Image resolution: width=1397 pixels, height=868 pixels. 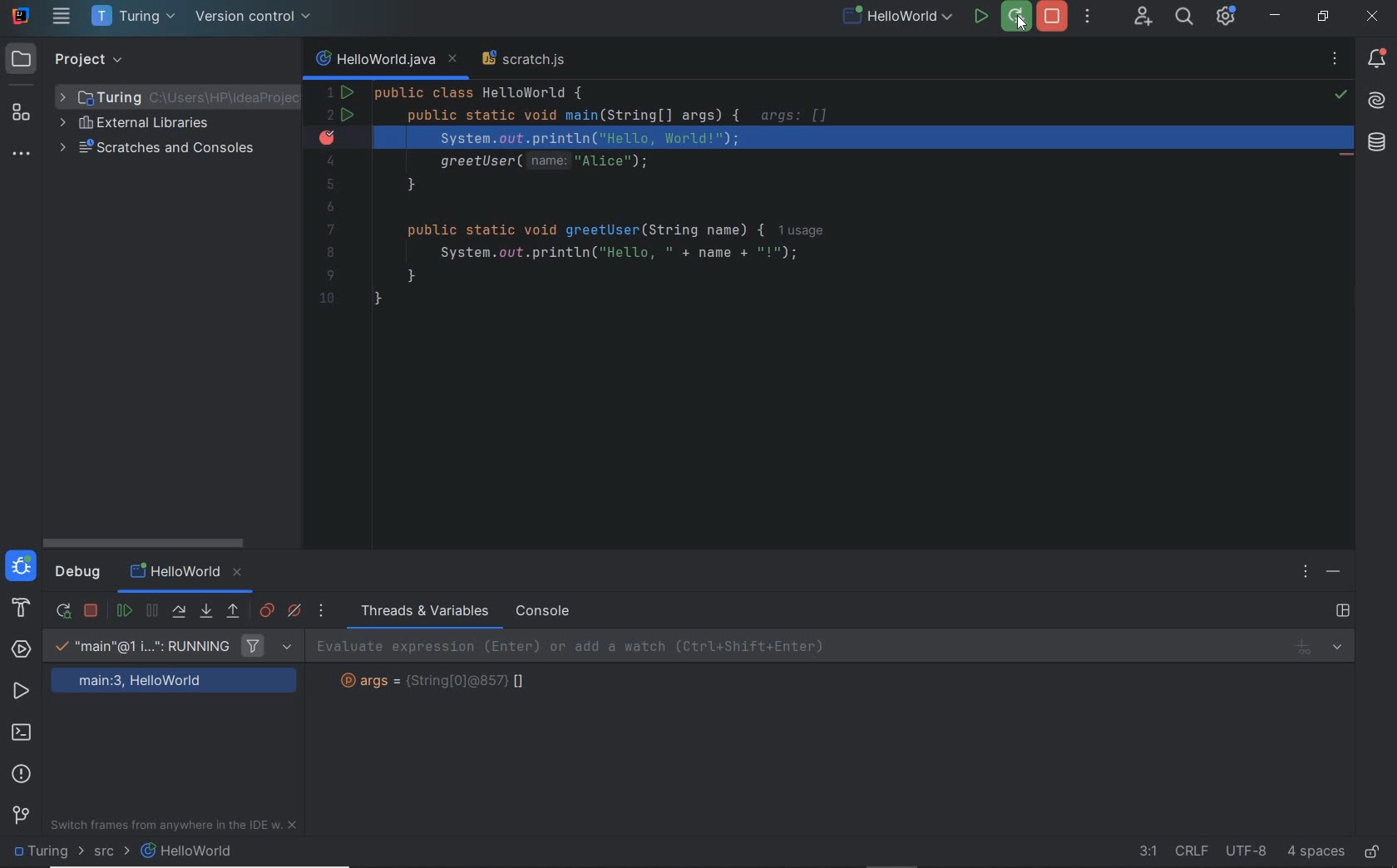 I want to click on code with me, so click(x=1142, y=17).